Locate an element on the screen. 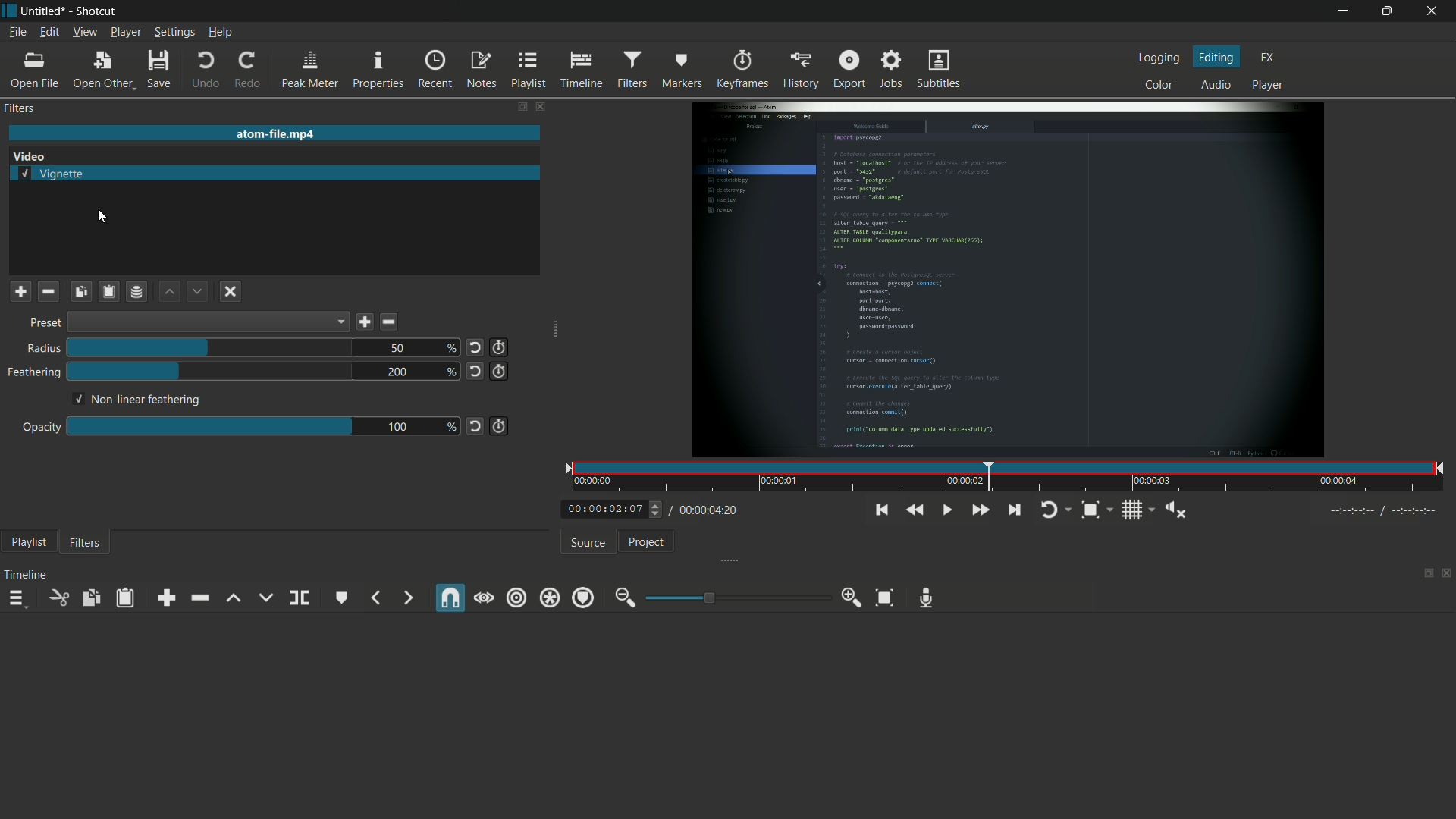  % is located at coordinates (451, 372).